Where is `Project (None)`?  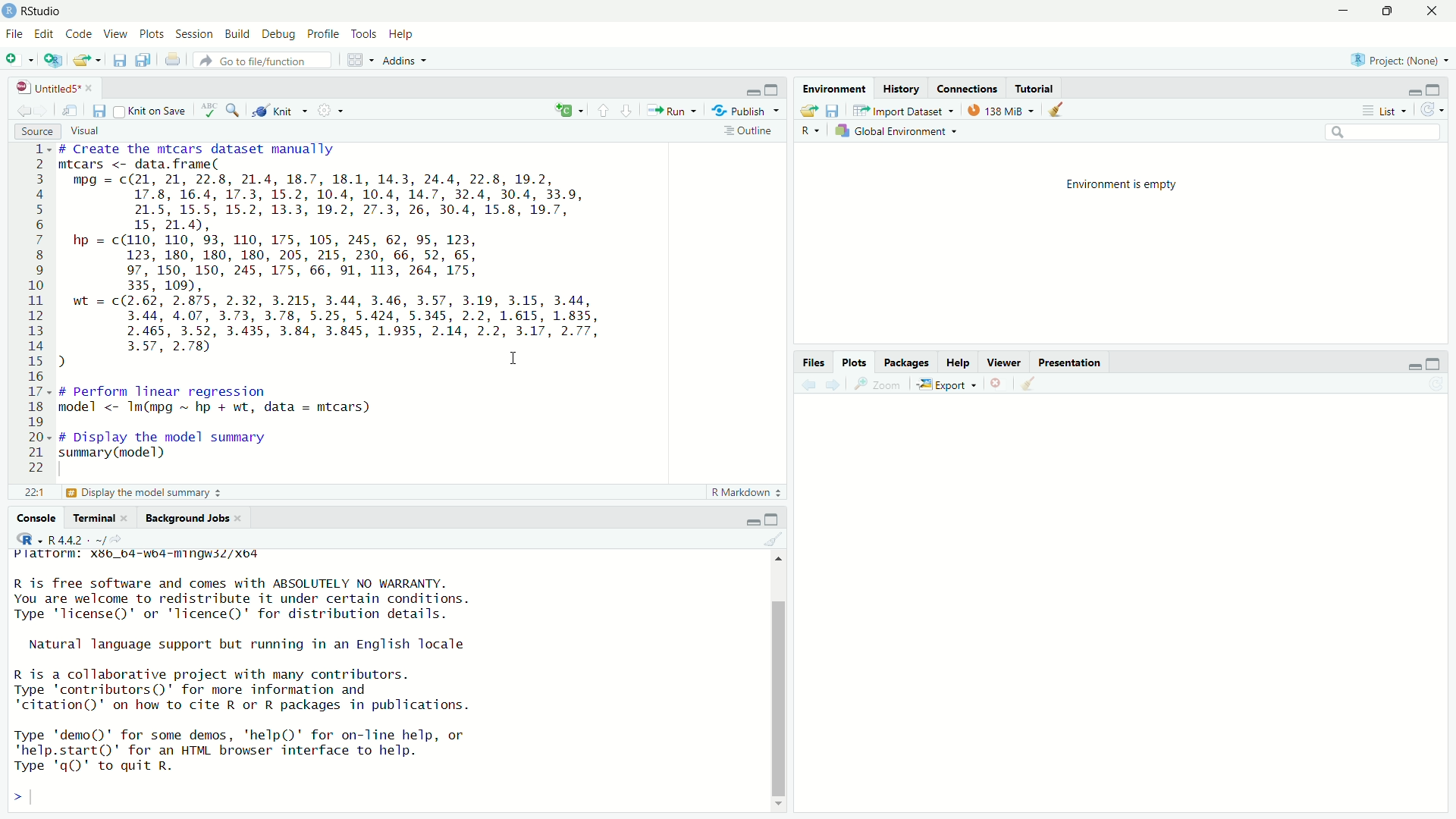 Project (None) is located at coordinates (1394, 60).